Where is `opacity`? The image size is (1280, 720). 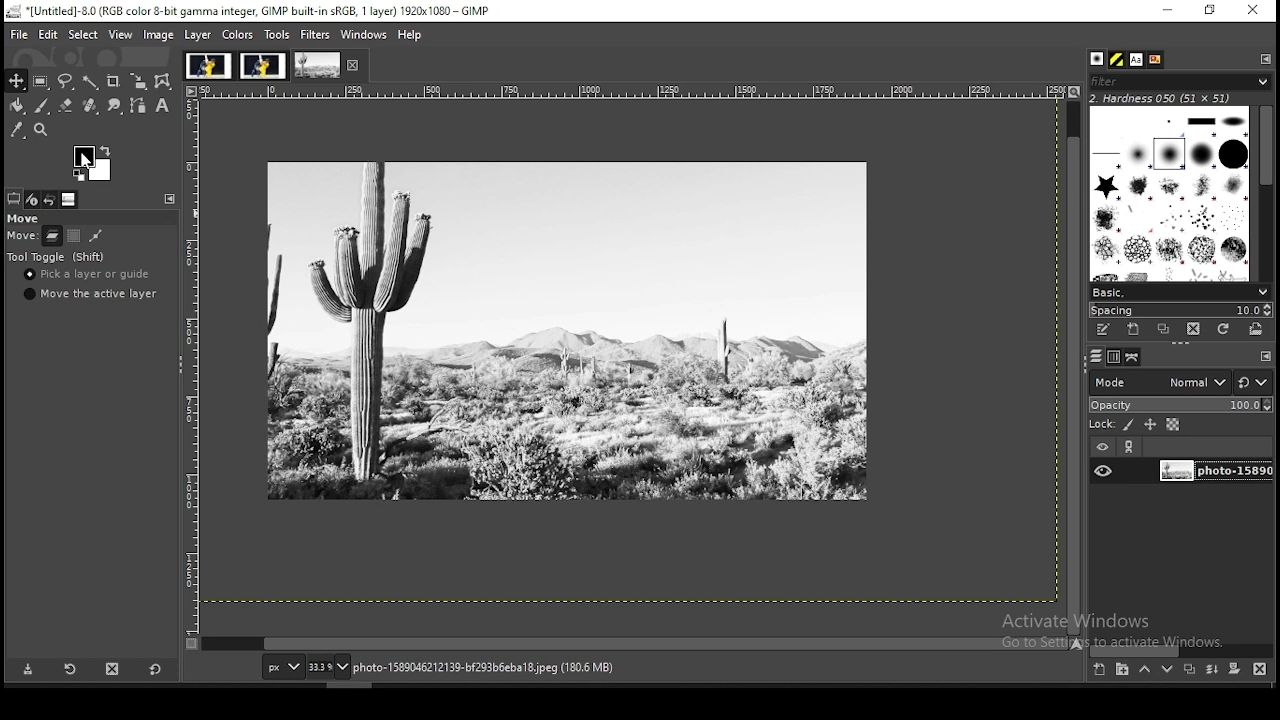
opacity is located at coordinates (1179, 403).